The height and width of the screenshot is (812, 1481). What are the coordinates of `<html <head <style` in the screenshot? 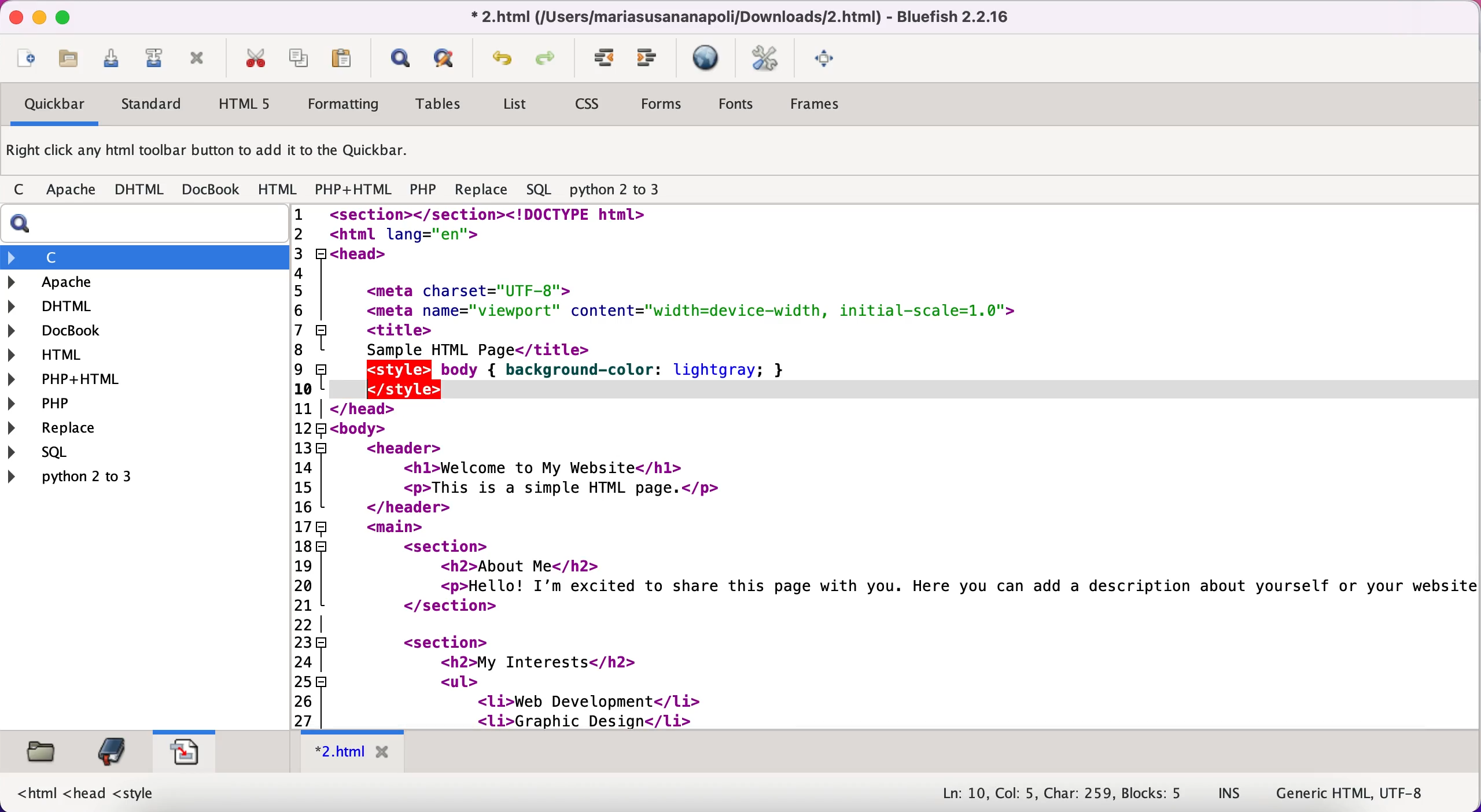 It's located at (91, 791).